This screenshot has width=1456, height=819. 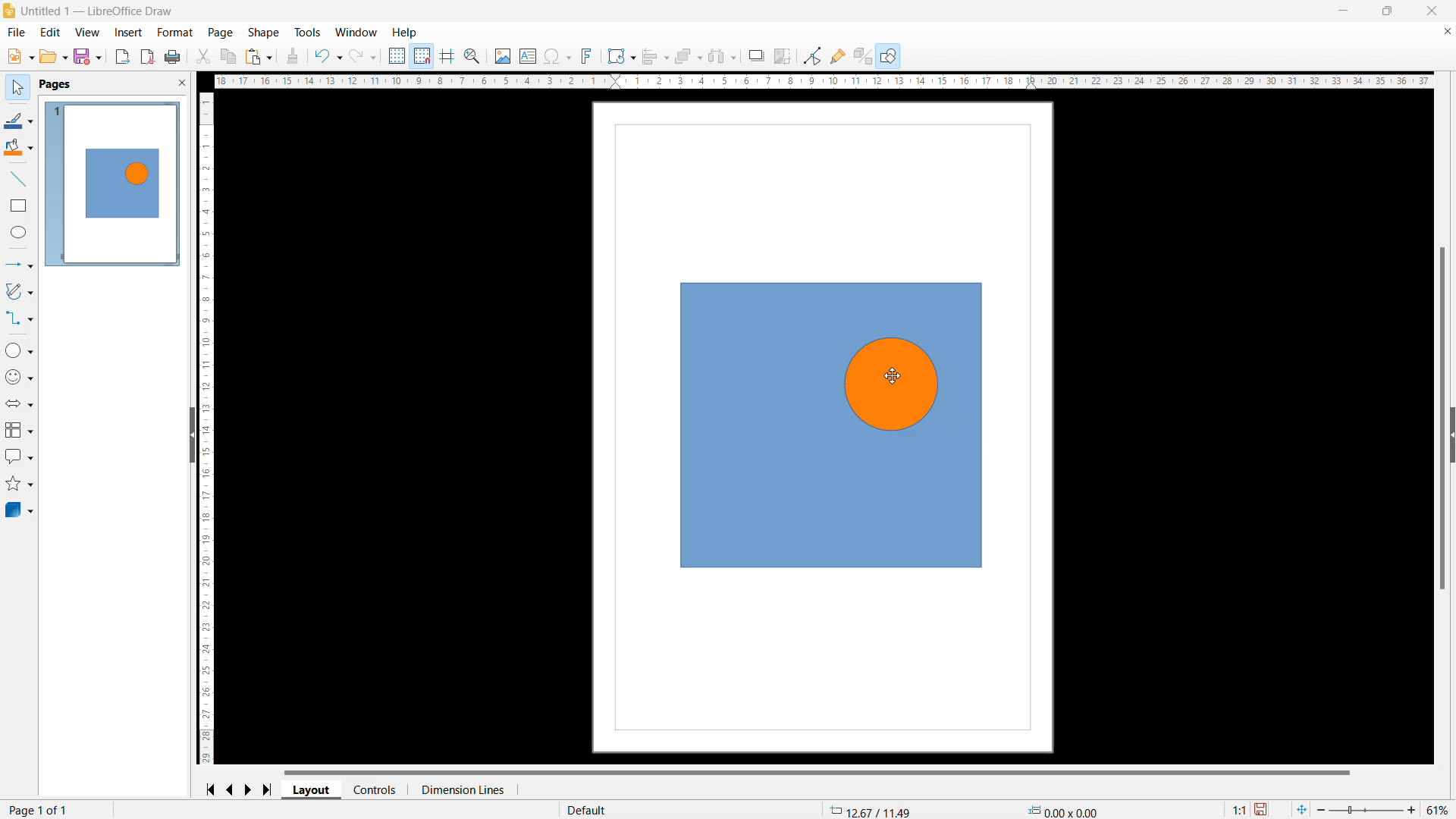 What do you see at coordinates (182, 82) in the screenshot?
I see `close pane` at bounding box center [182, 82].